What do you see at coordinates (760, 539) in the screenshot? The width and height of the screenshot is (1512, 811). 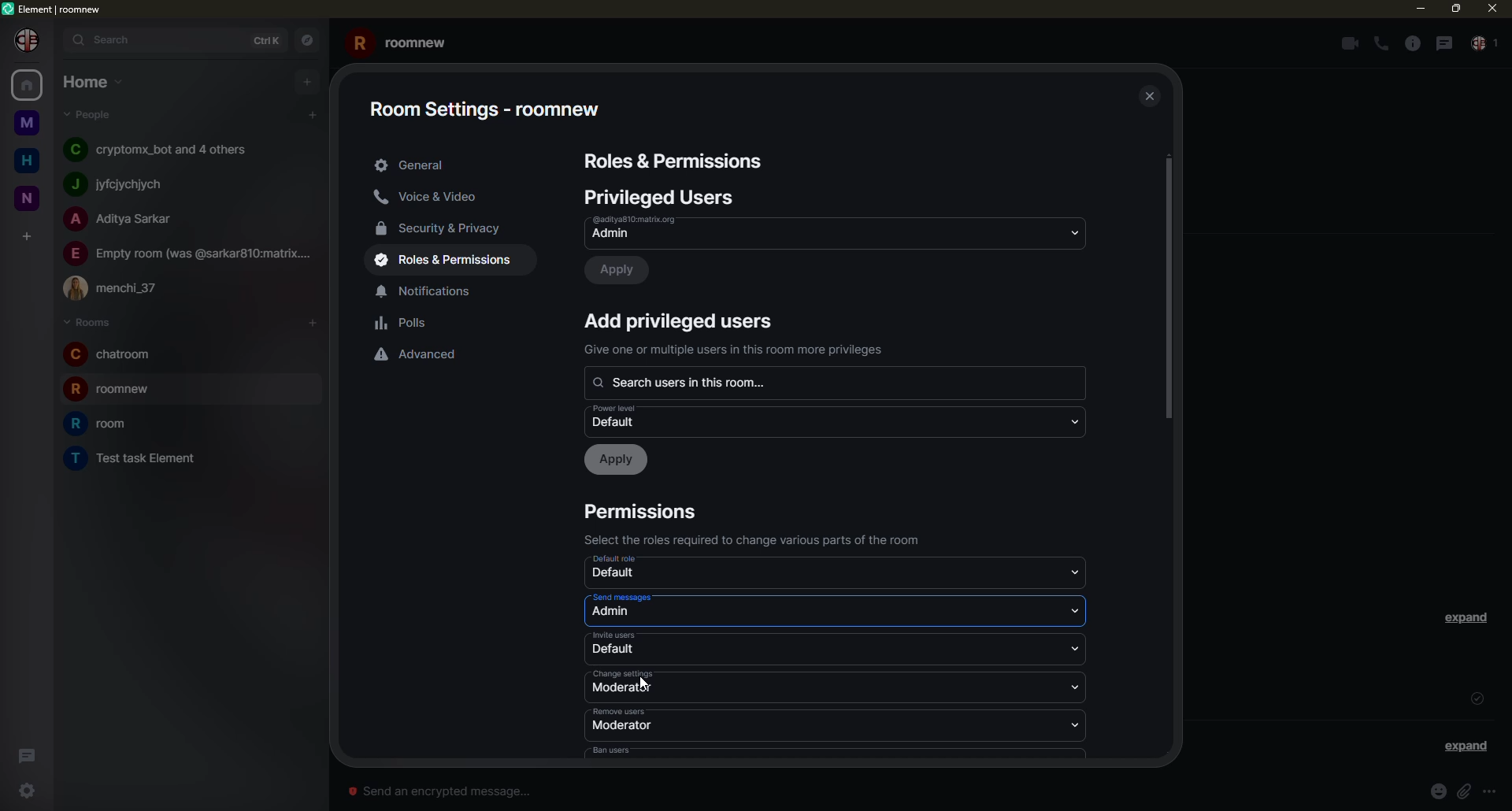 I see `select the roles required` at bounding box center [760, 539].